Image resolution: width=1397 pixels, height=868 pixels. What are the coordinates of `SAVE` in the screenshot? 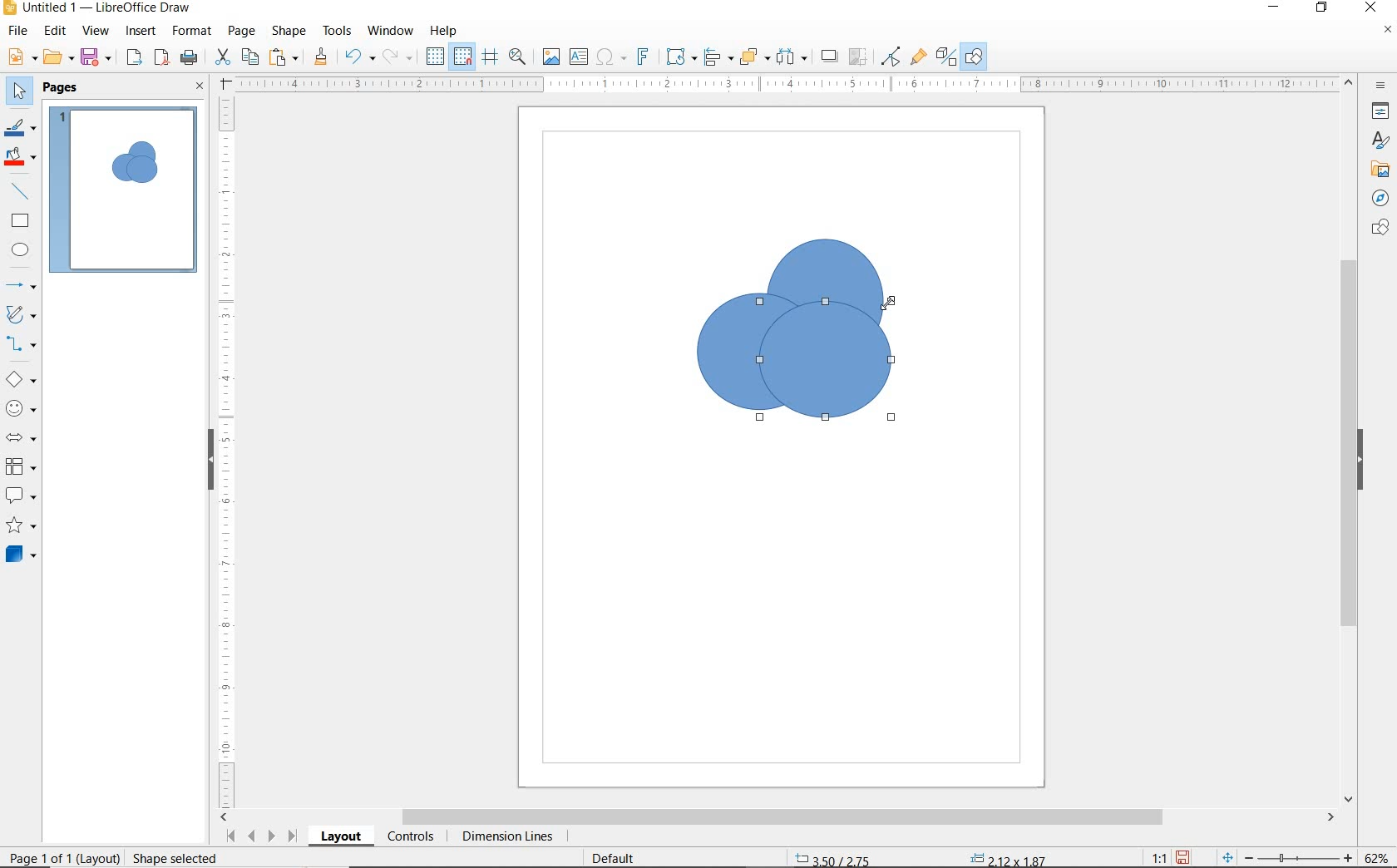 It's located at (1185, 856).